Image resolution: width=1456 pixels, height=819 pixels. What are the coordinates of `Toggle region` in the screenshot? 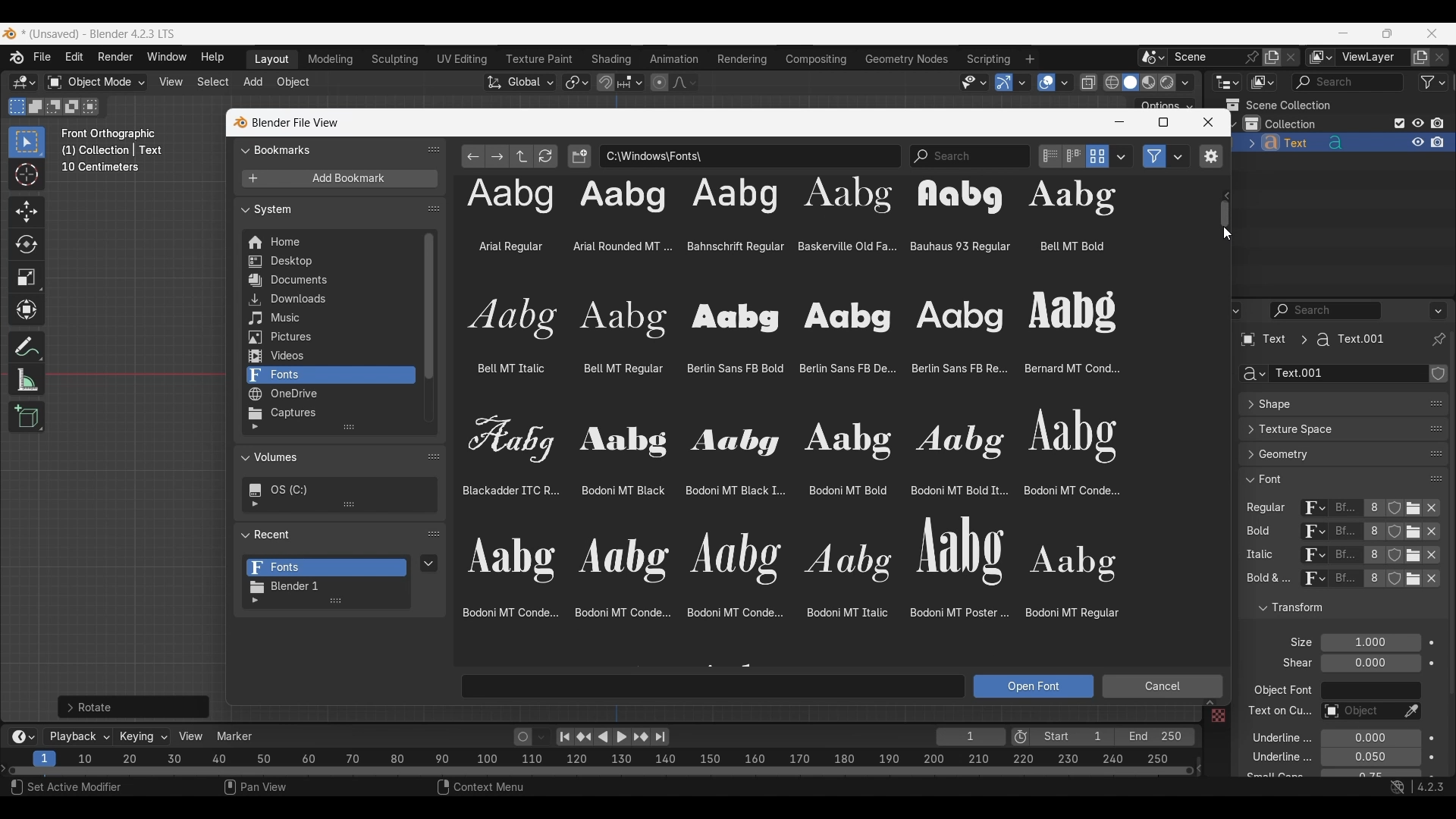 It's located at (1210, 156).